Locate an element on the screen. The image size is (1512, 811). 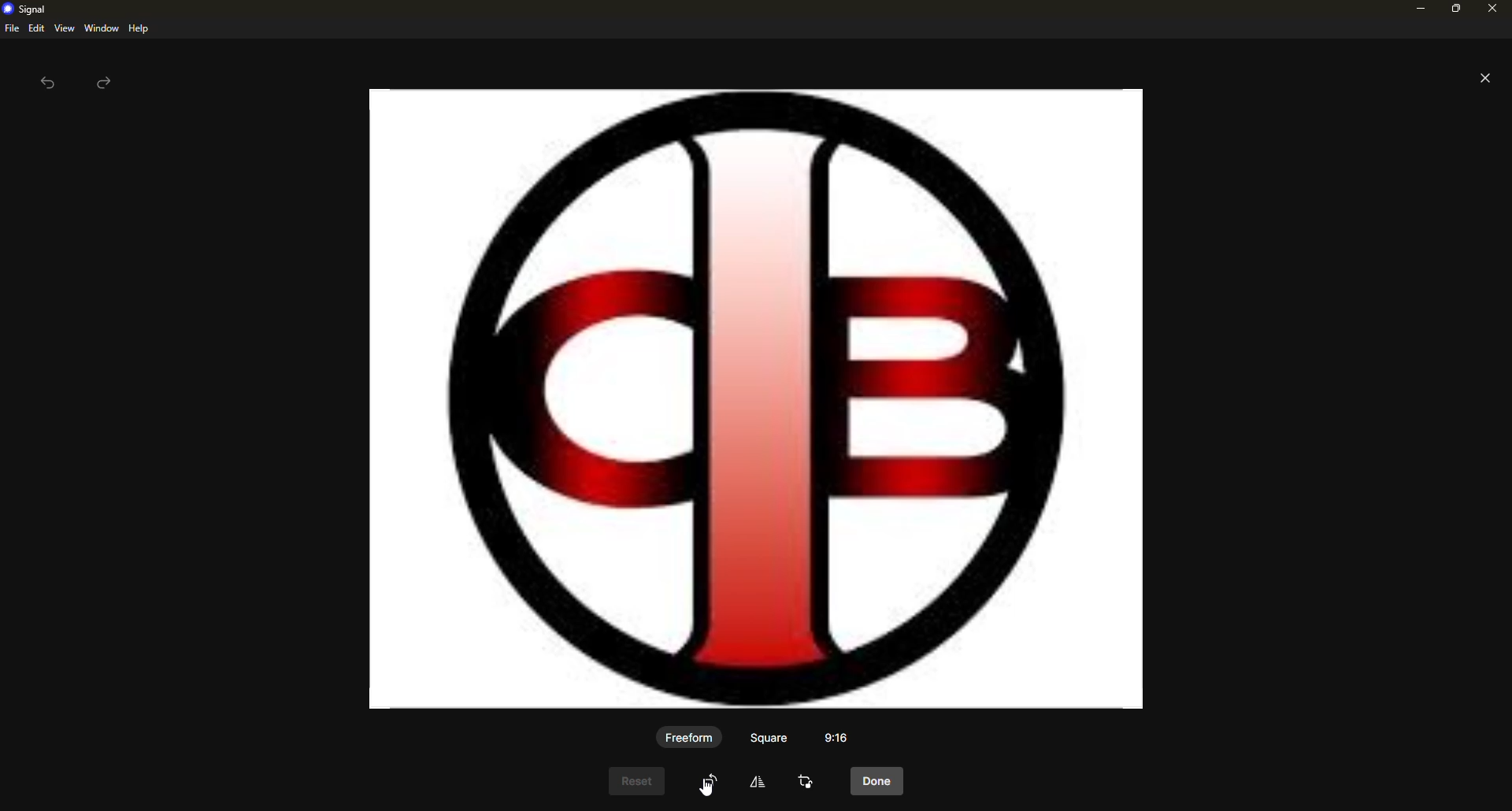
edit is located at coordinates (763, 781).